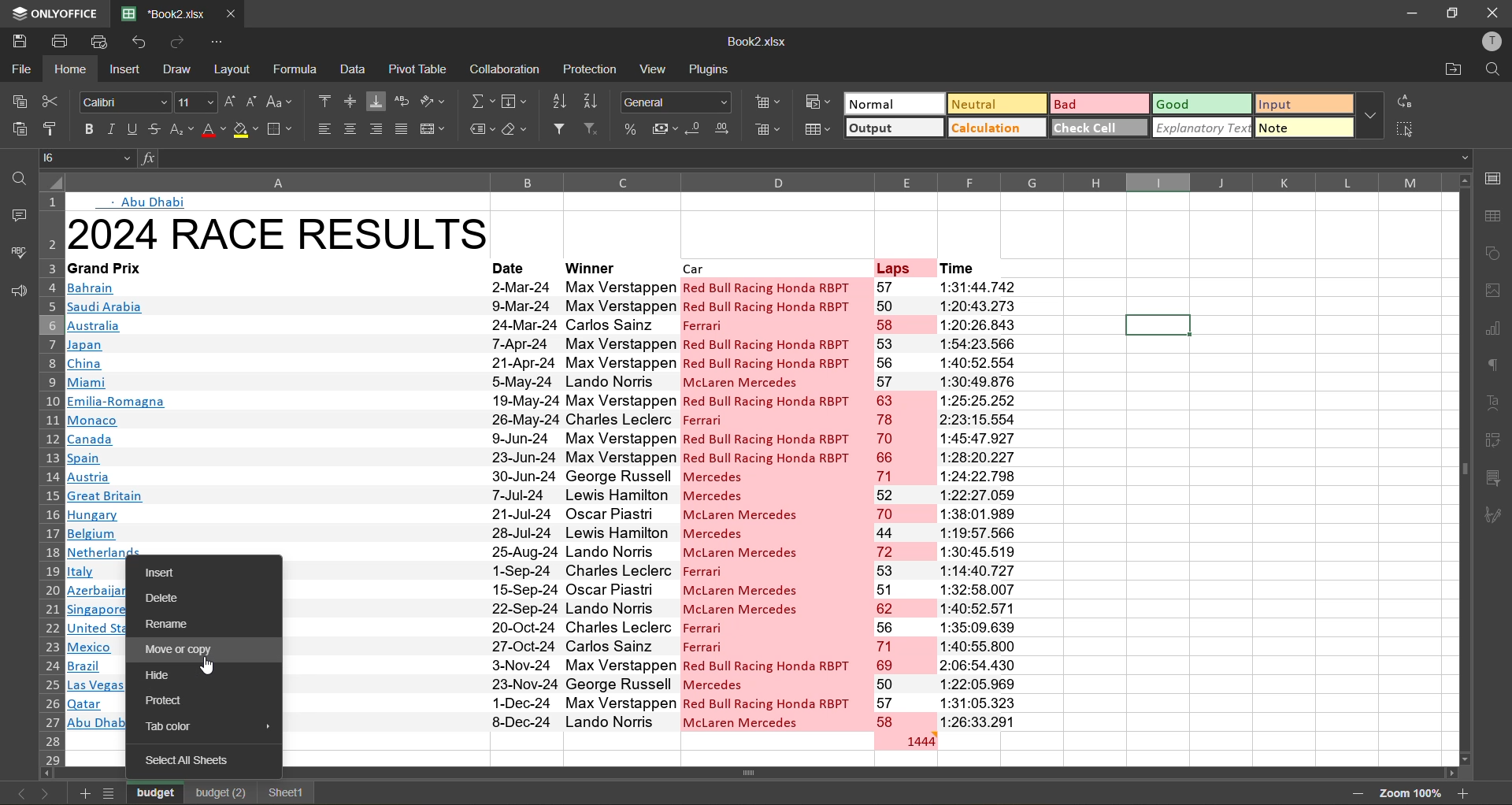 This screenshot has width=1512, height=805. Describe the element at coordinates (1495, 364) in the screenshot. I see `paragraph` at that location.